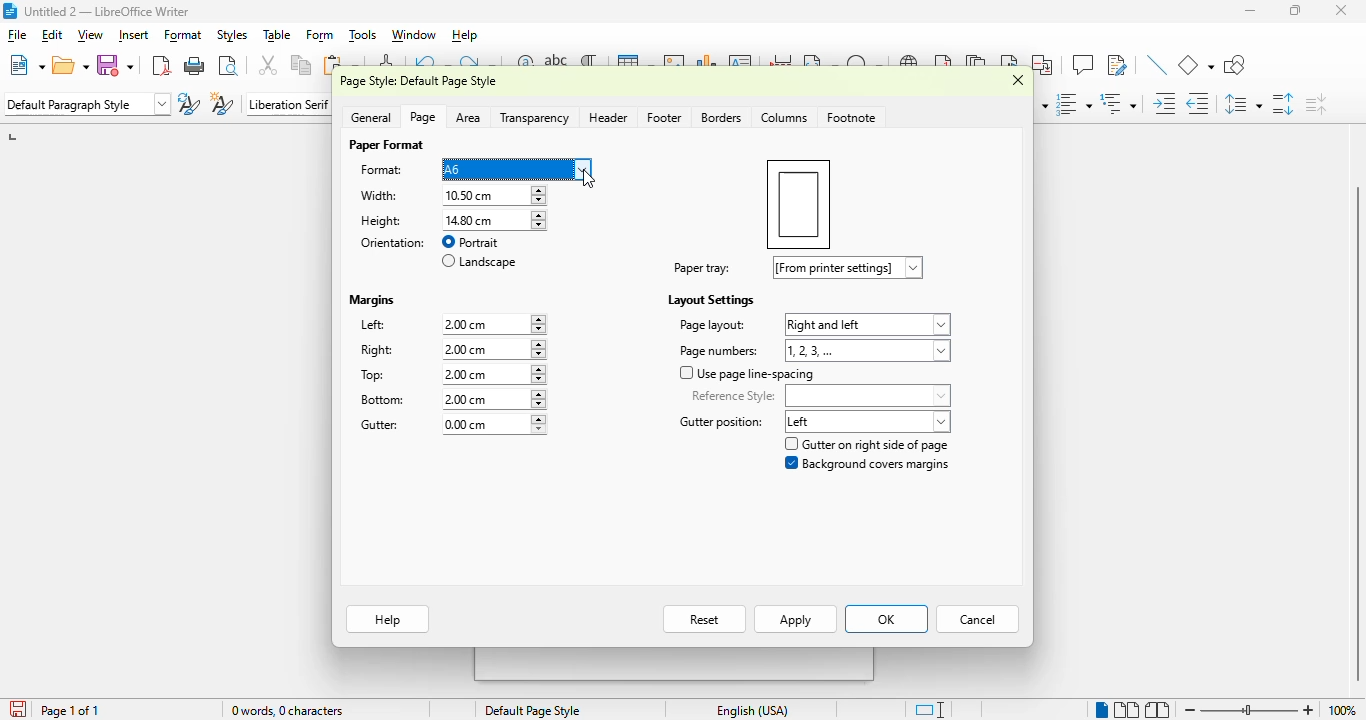 This screenshot has height=720, width=1366. I want to click on show draw functions, so click(1235, 65).